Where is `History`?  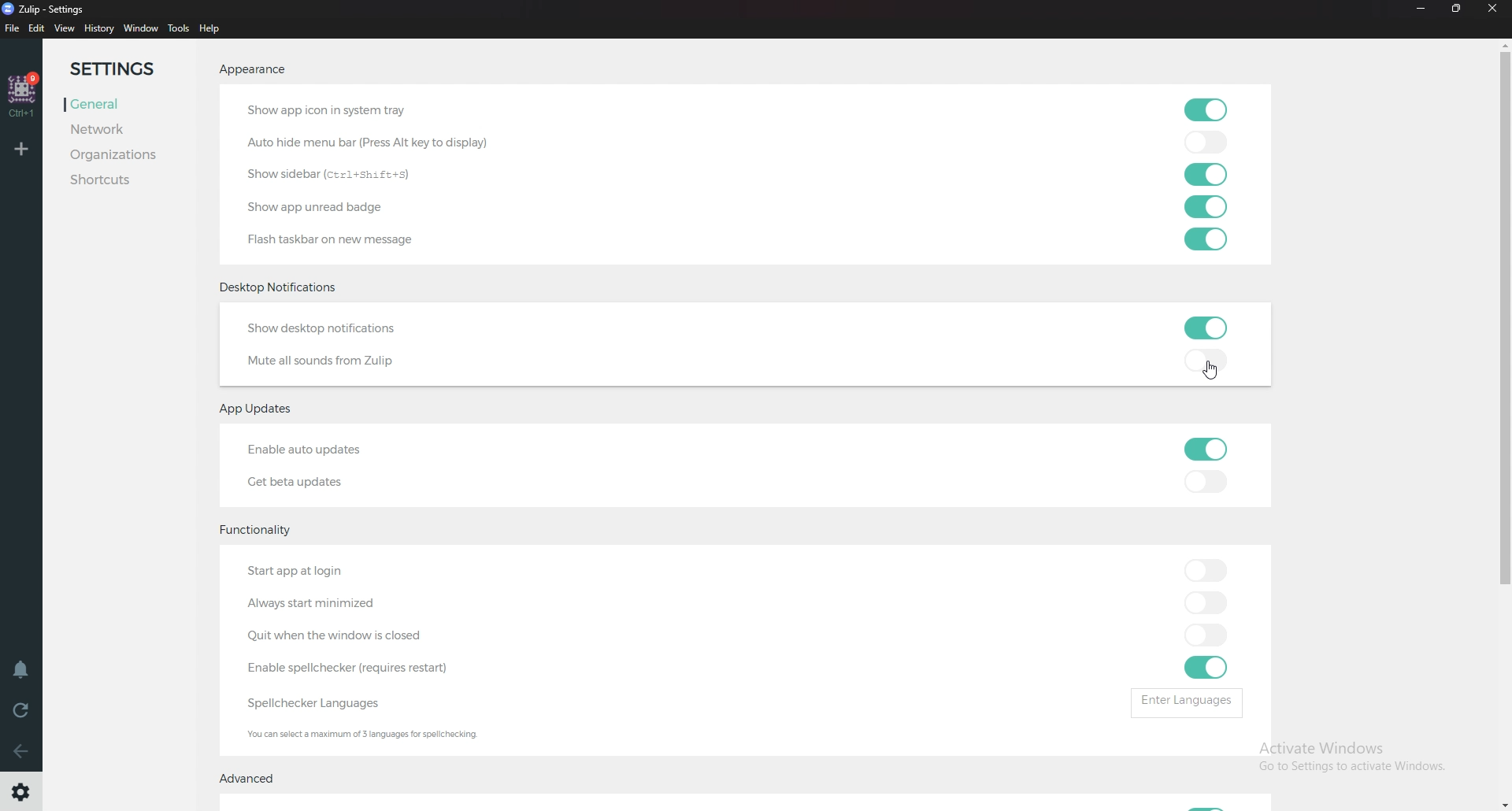 History is located at coordinates (98, 28).